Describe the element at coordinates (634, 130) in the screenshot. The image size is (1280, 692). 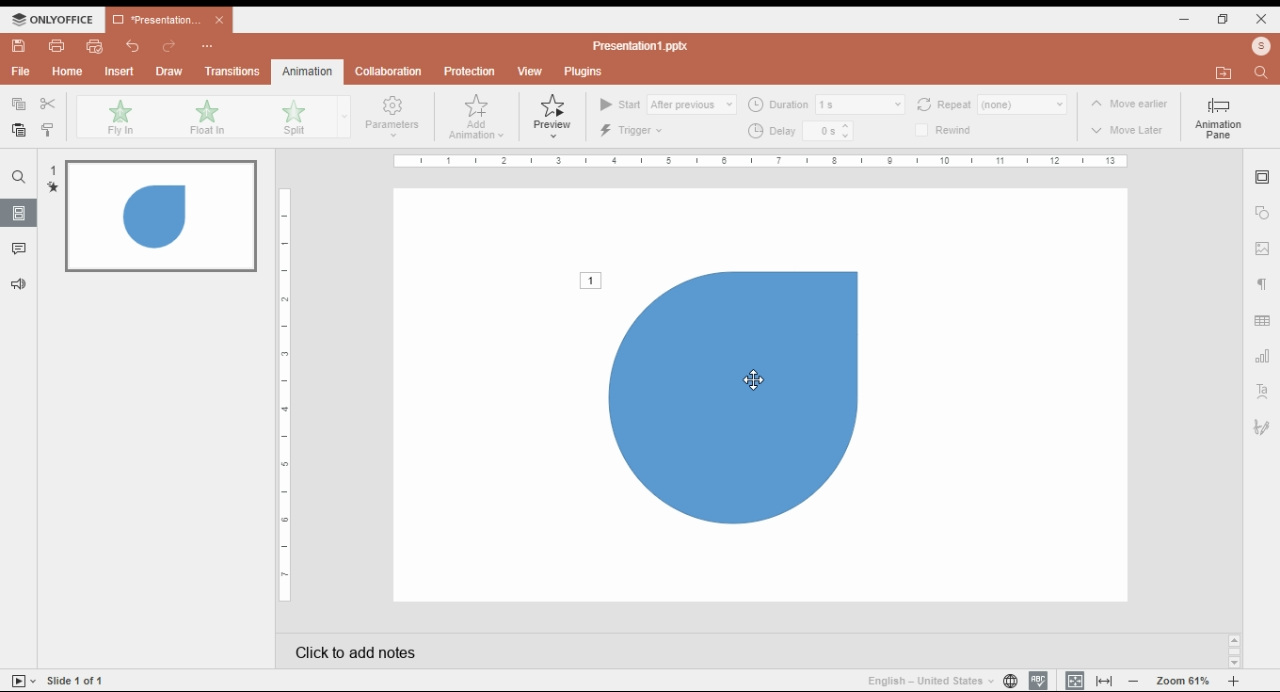
I see `trigger` at that location.